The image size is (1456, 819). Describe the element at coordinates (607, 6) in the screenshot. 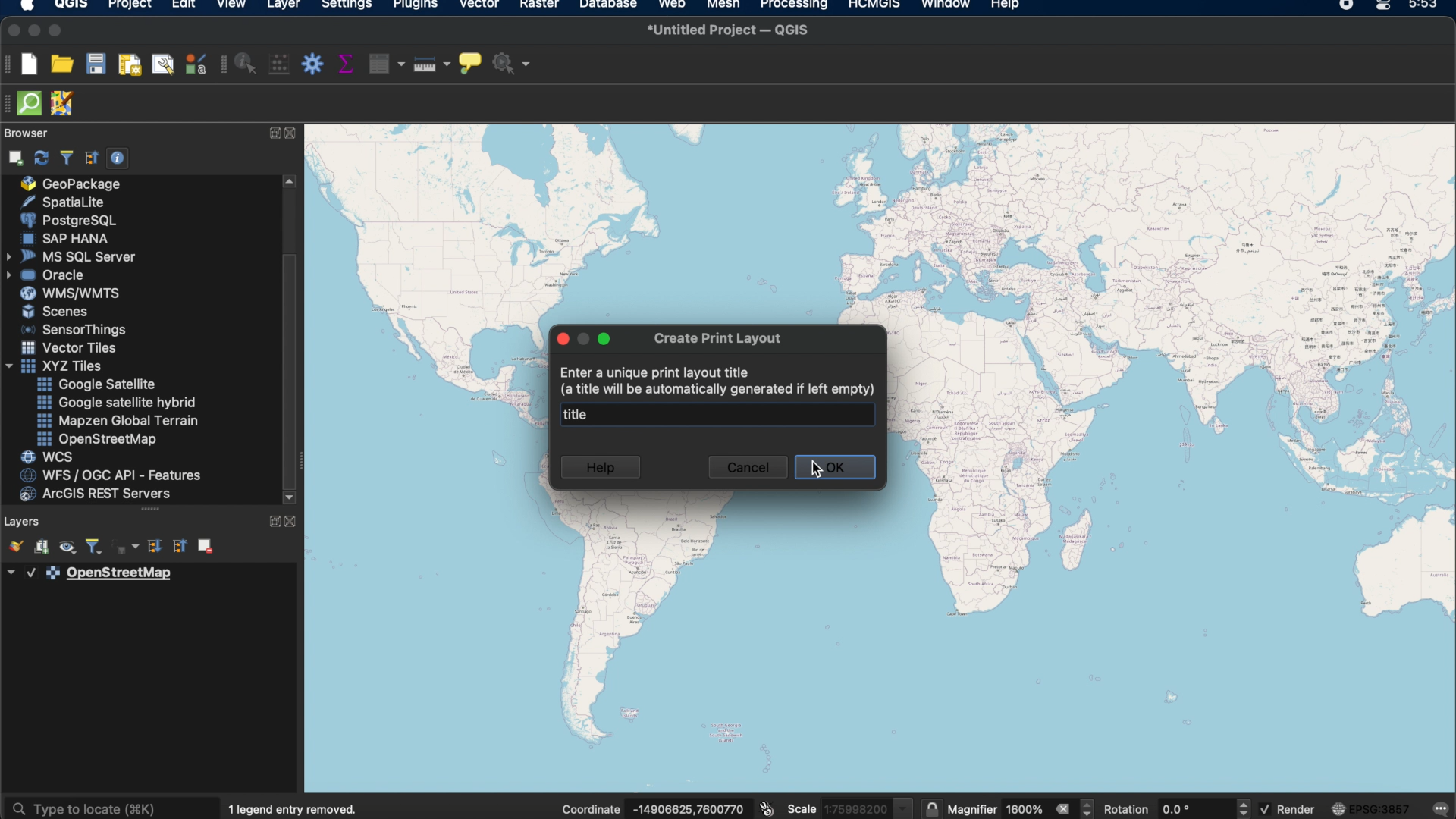

I see `database` at that location.